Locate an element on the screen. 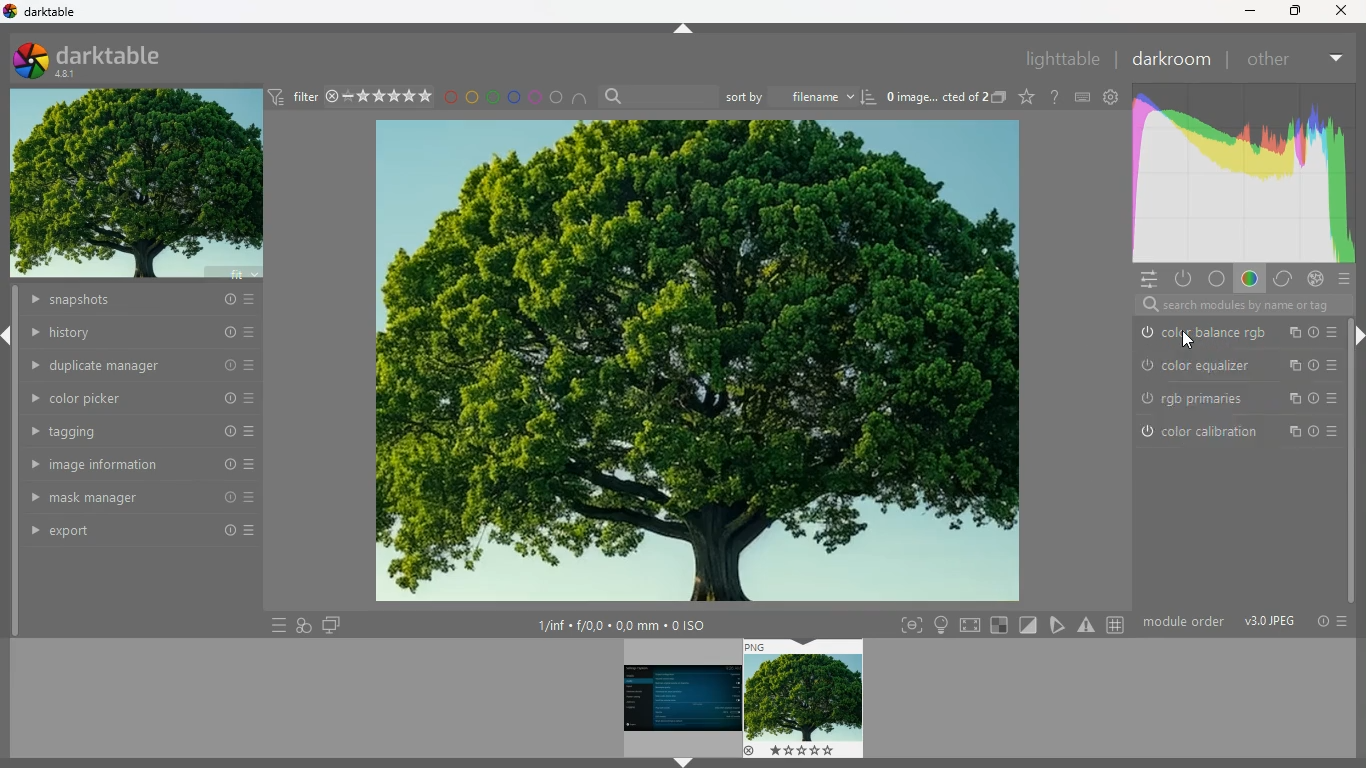  details is located at coordinates (632, 626).